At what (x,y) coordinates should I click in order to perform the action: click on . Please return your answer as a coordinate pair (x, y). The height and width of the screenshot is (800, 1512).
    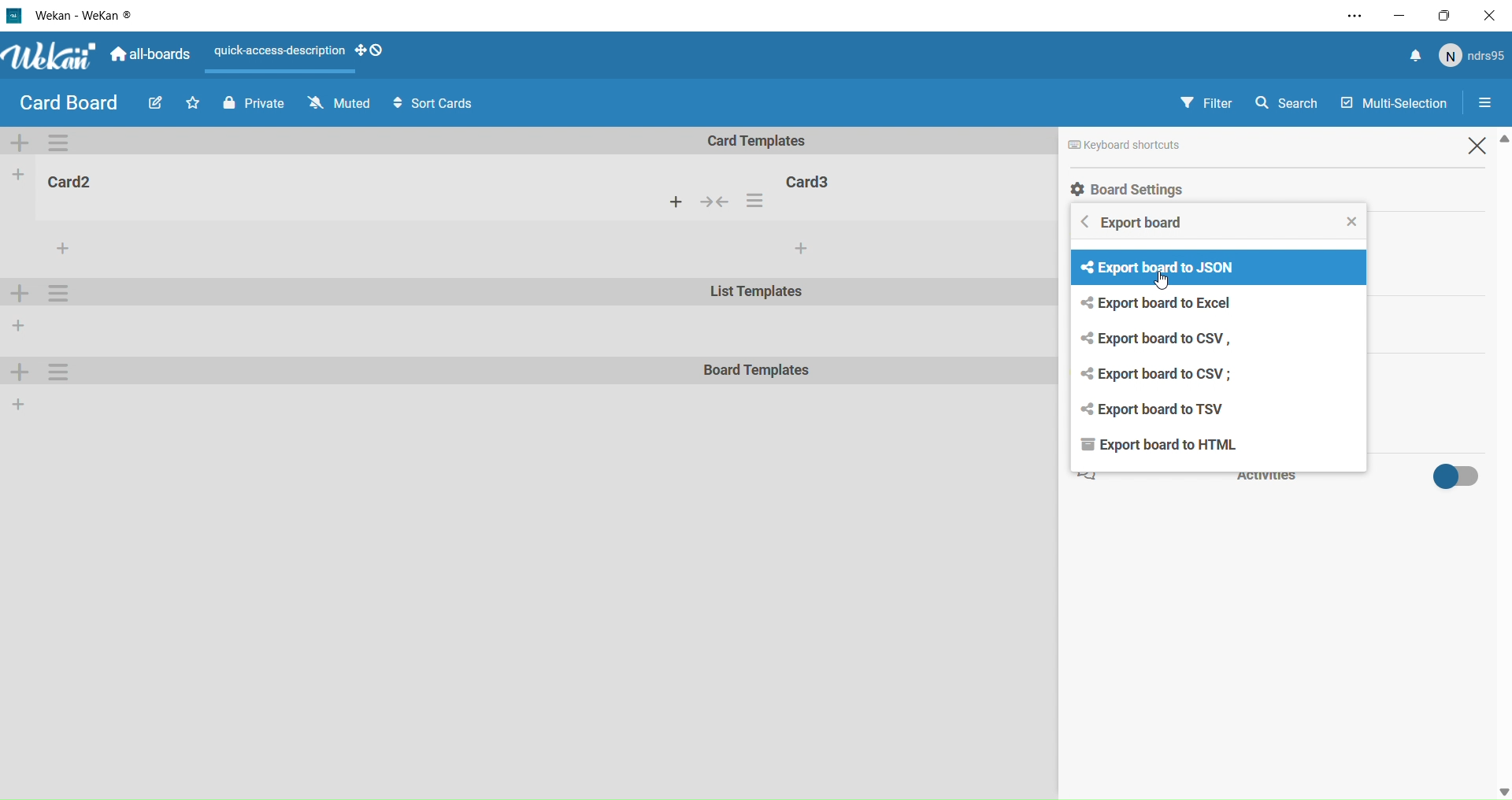
    Looking at the image, I should click on (19, 172).